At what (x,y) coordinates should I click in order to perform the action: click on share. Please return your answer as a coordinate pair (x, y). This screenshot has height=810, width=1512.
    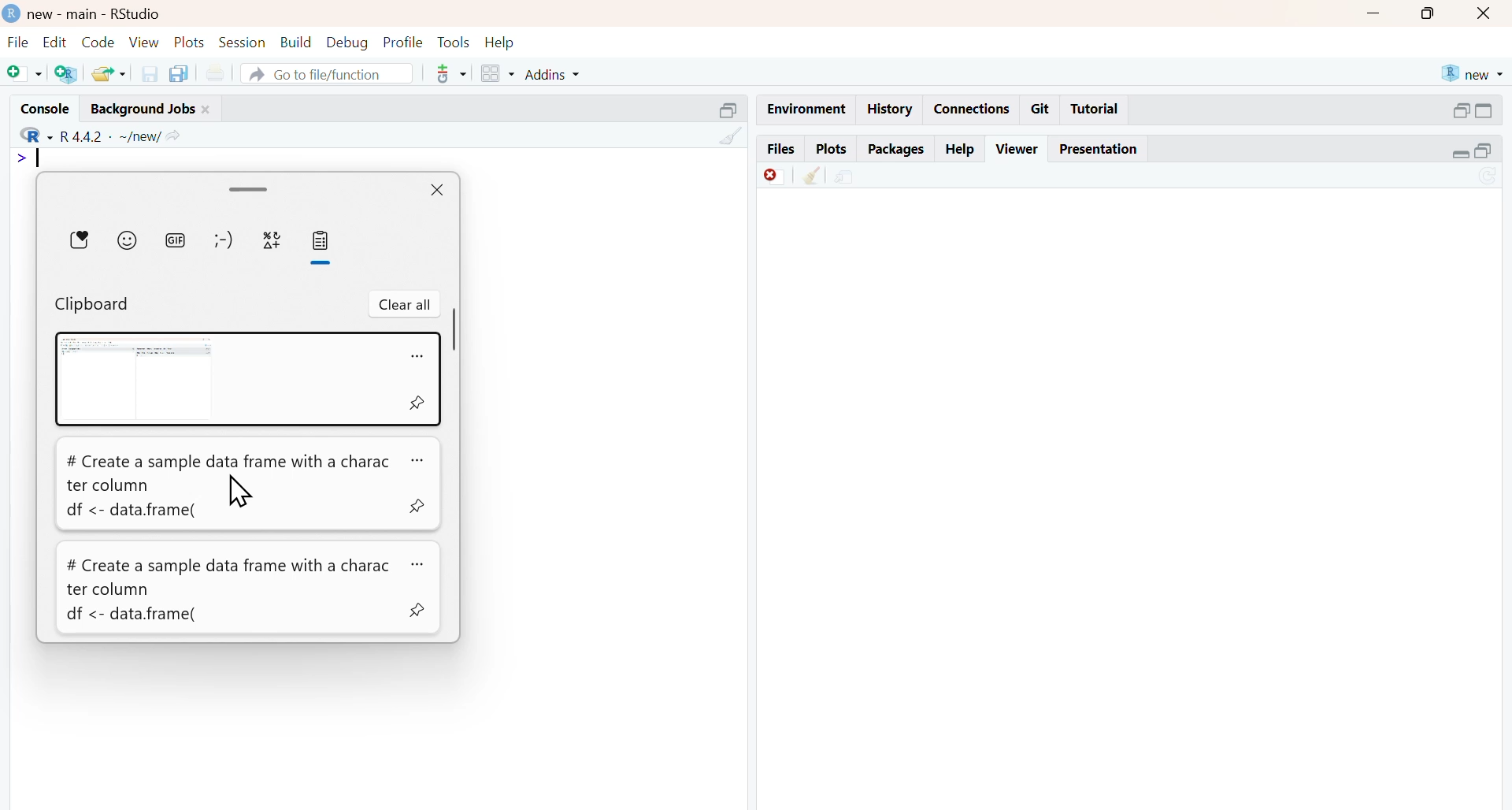
    Looking at the image, I should click on (845, 177).